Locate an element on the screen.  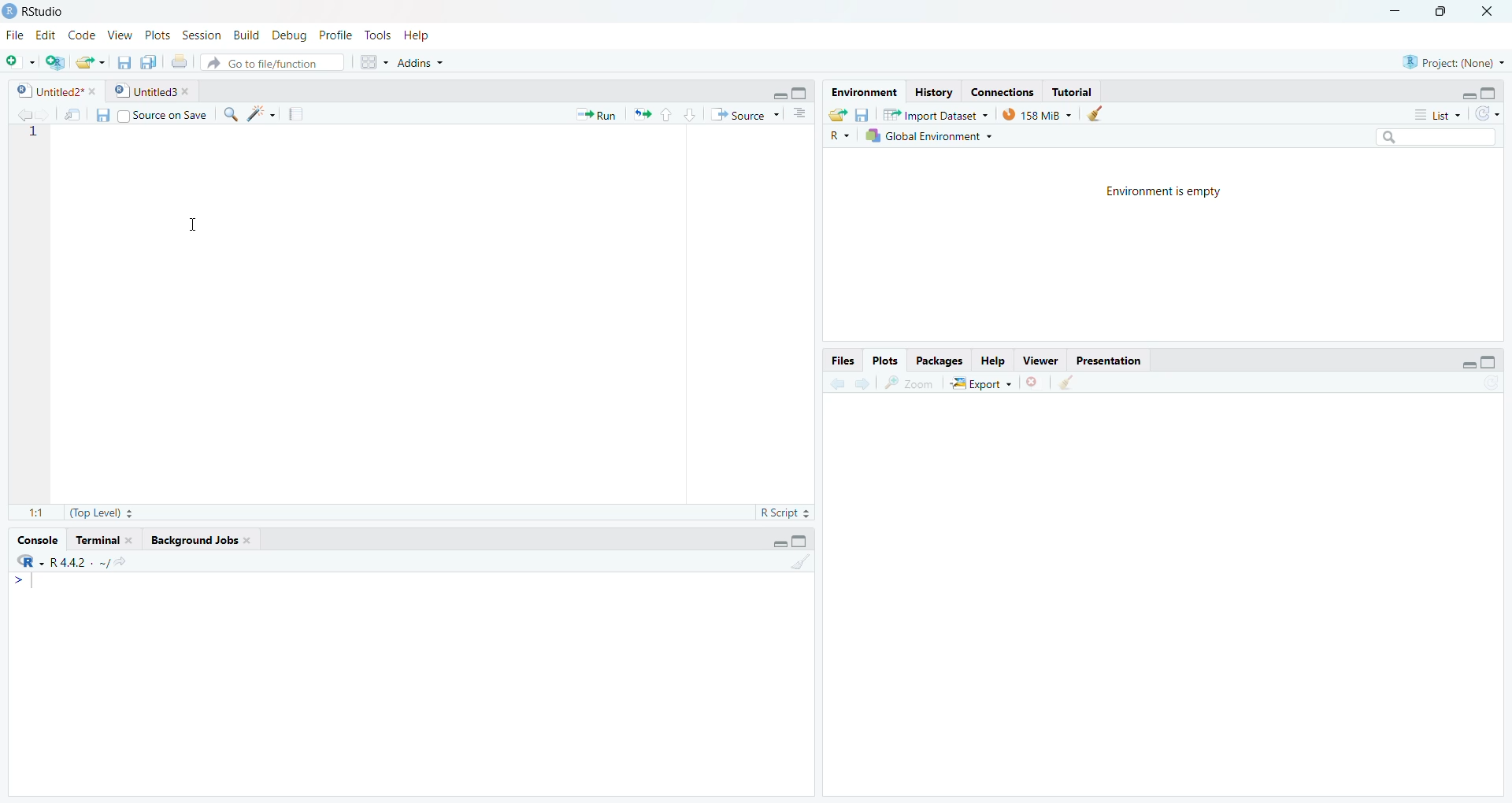
compile report is located at coordinates (289, 112).